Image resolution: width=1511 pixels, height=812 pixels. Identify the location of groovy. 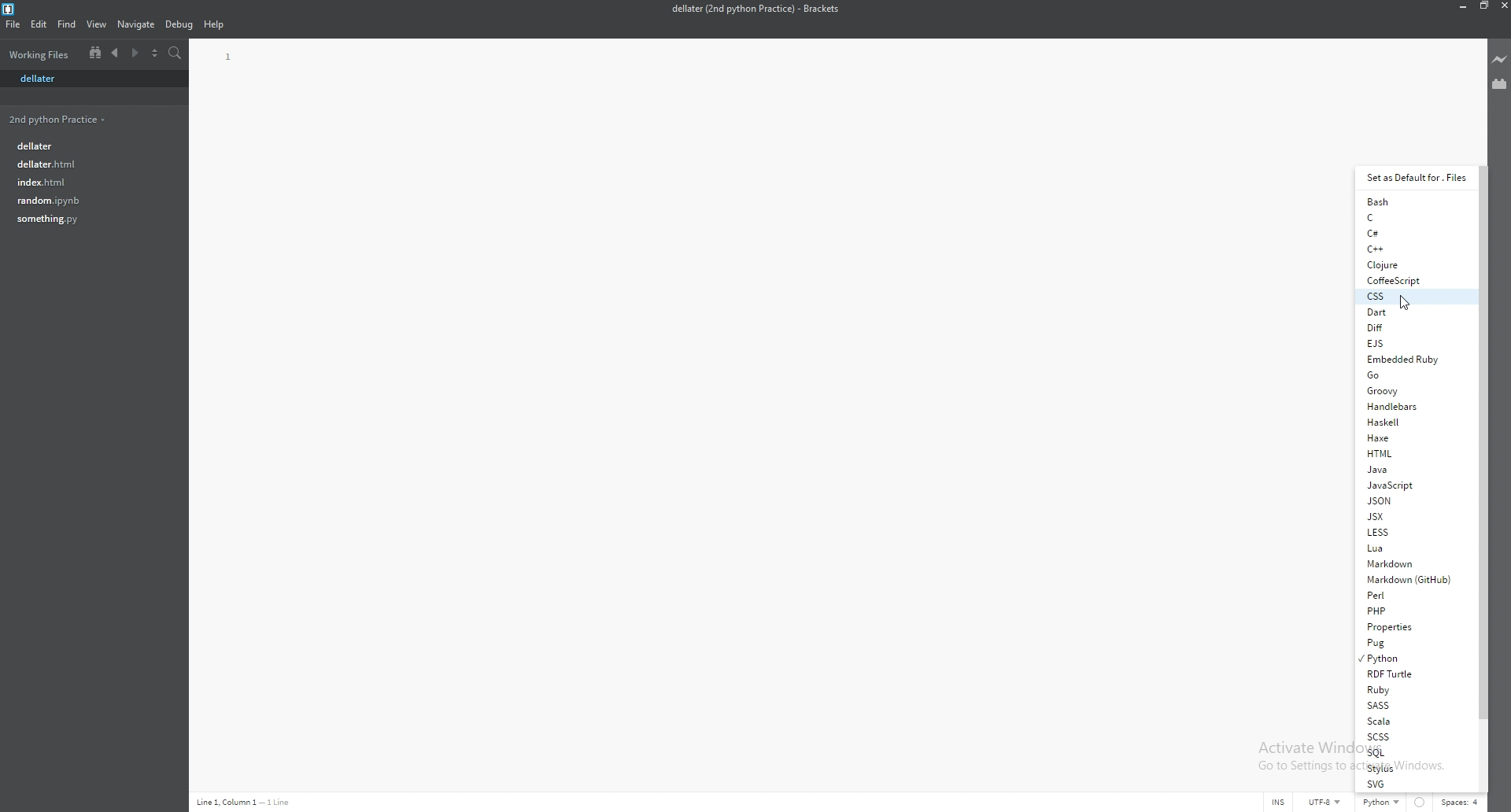
(1413, 389).